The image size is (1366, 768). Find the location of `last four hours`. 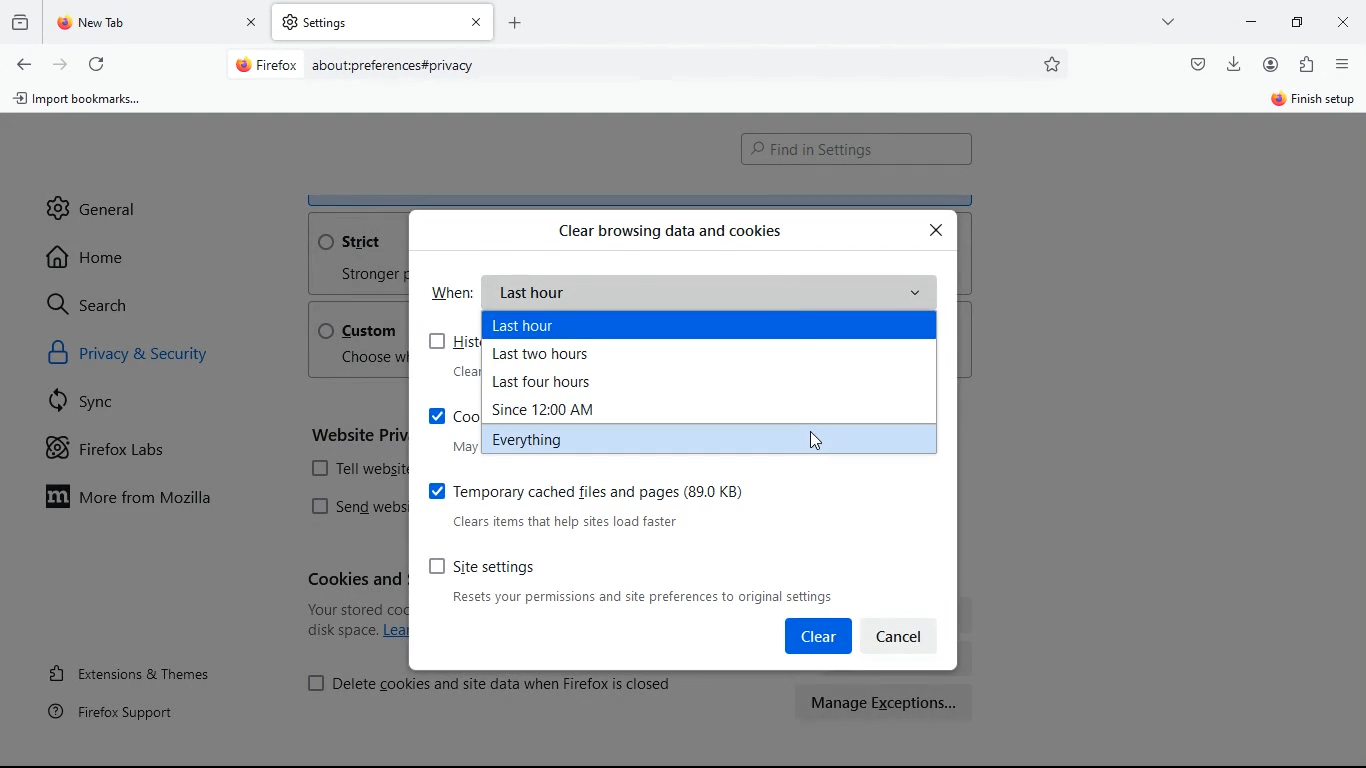

last four hours is located at coordinates (556, 384).